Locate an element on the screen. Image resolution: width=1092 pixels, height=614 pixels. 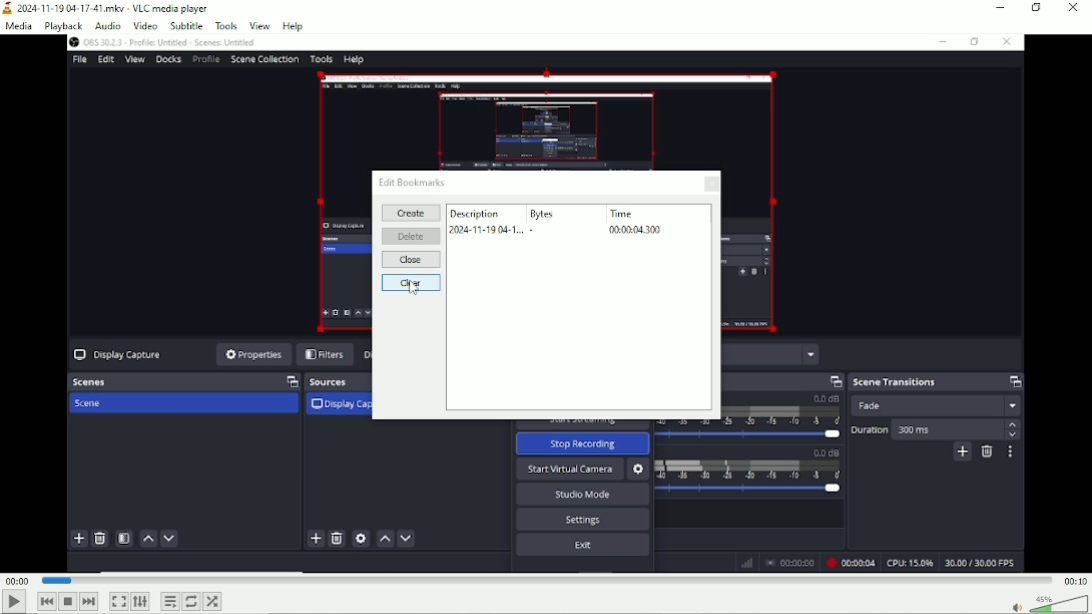
Video is located at coordinates (146, 25).